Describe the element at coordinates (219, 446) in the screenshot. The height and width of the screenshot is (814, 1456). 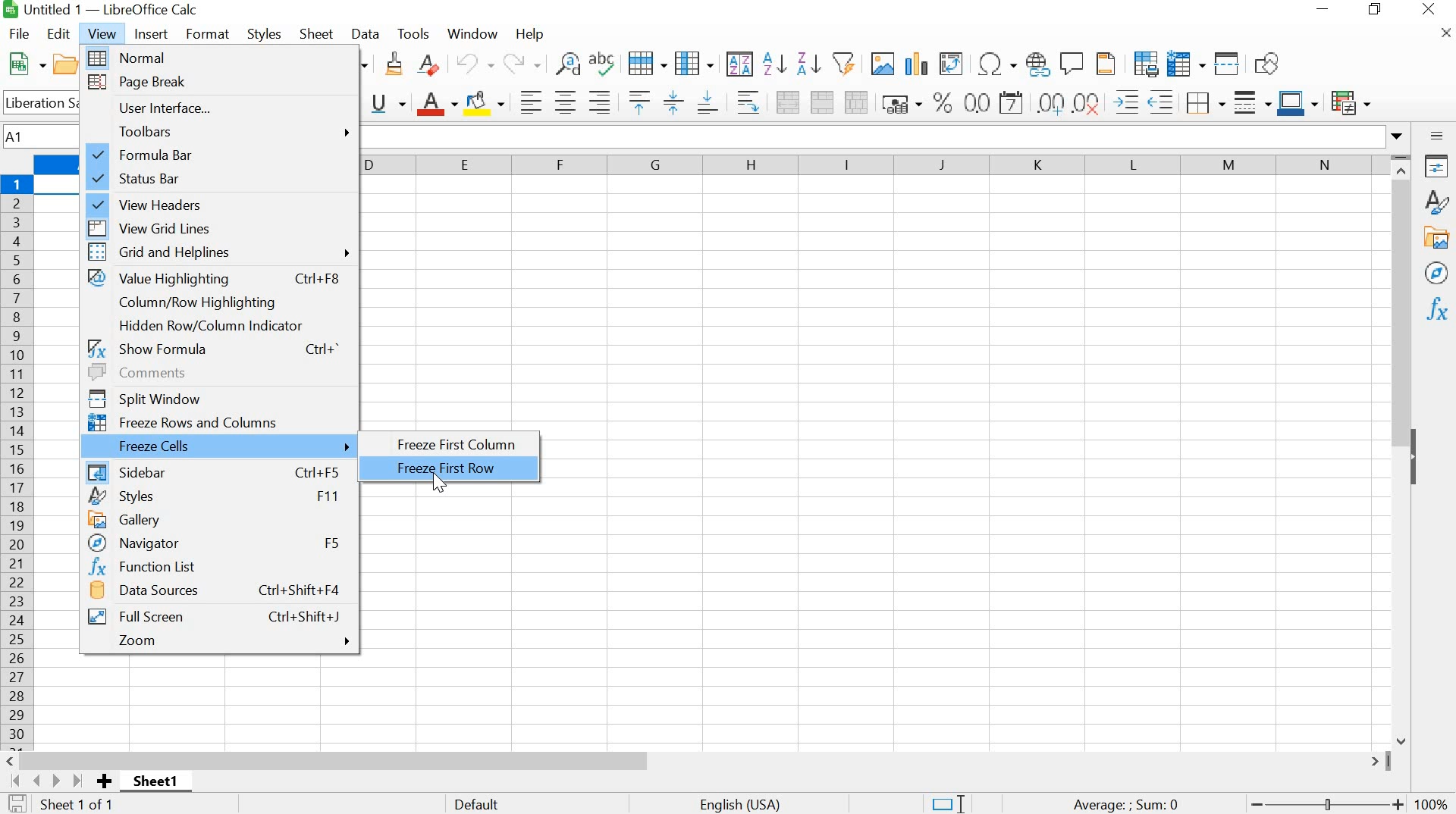
I see `FREEZE CELLS` at that location.